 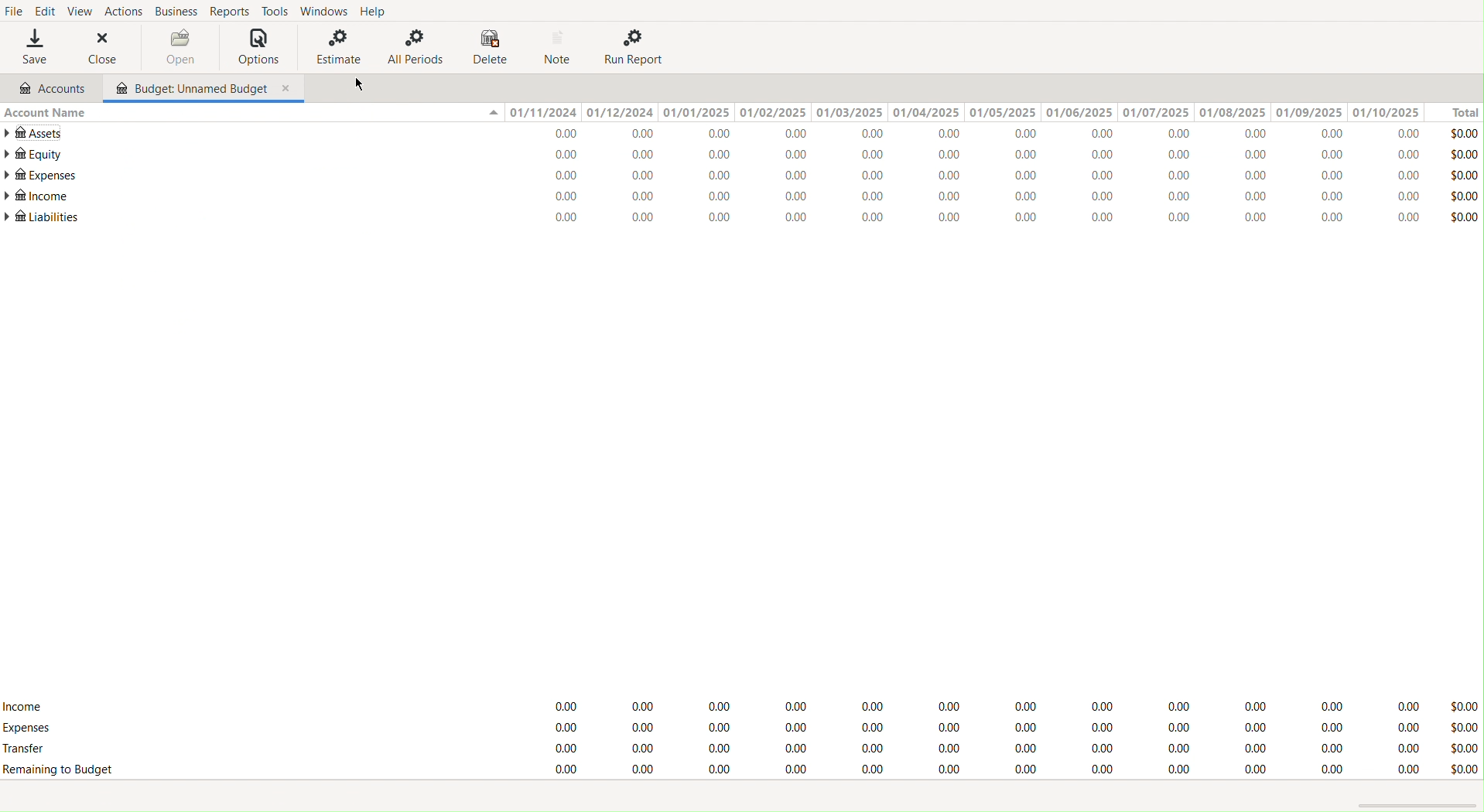 I want to click on Income Values, so click(x=970, y=197).